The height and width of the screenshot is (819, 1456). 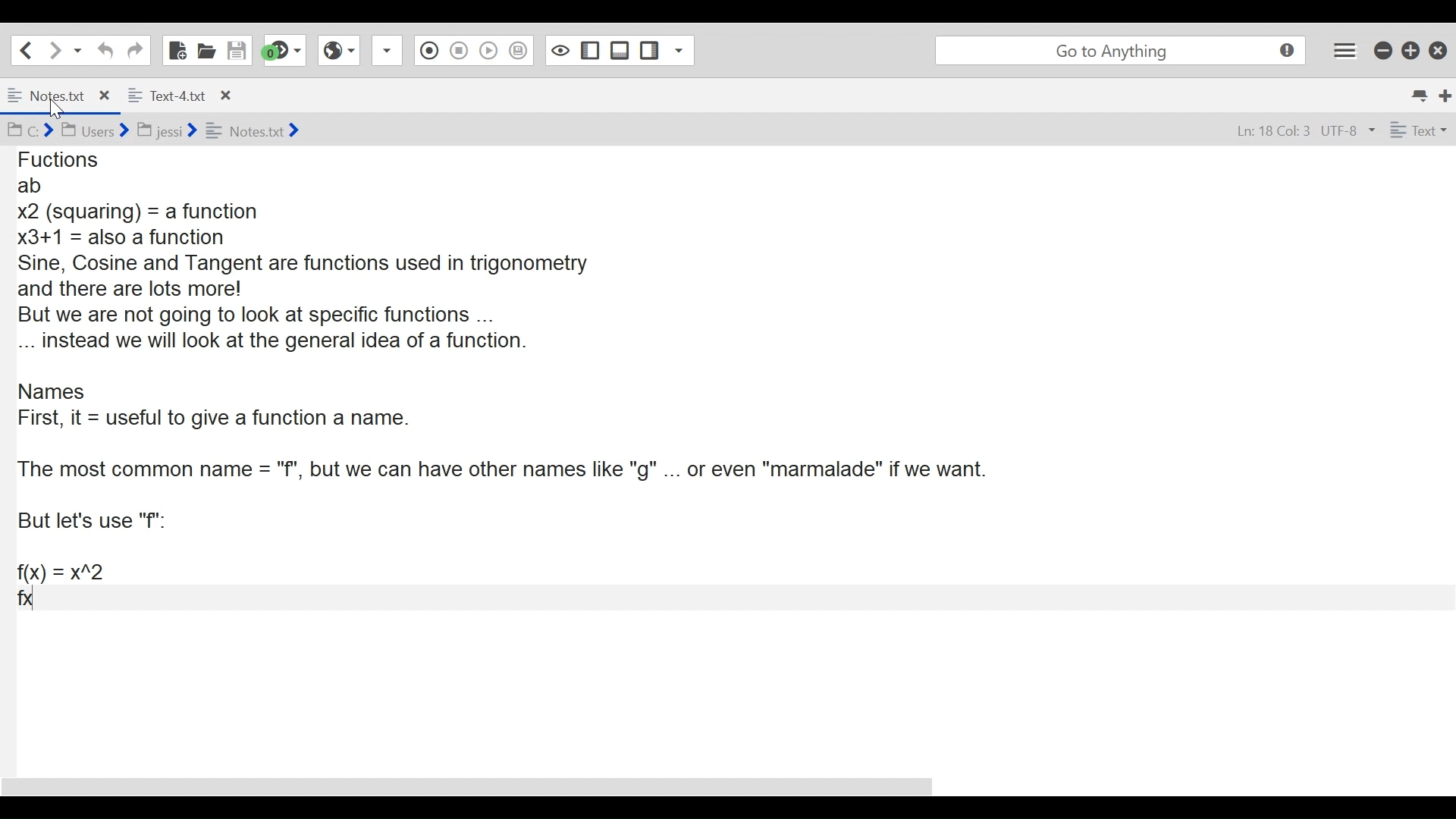 I want to click on minimize, so click(x=1382, y=50).